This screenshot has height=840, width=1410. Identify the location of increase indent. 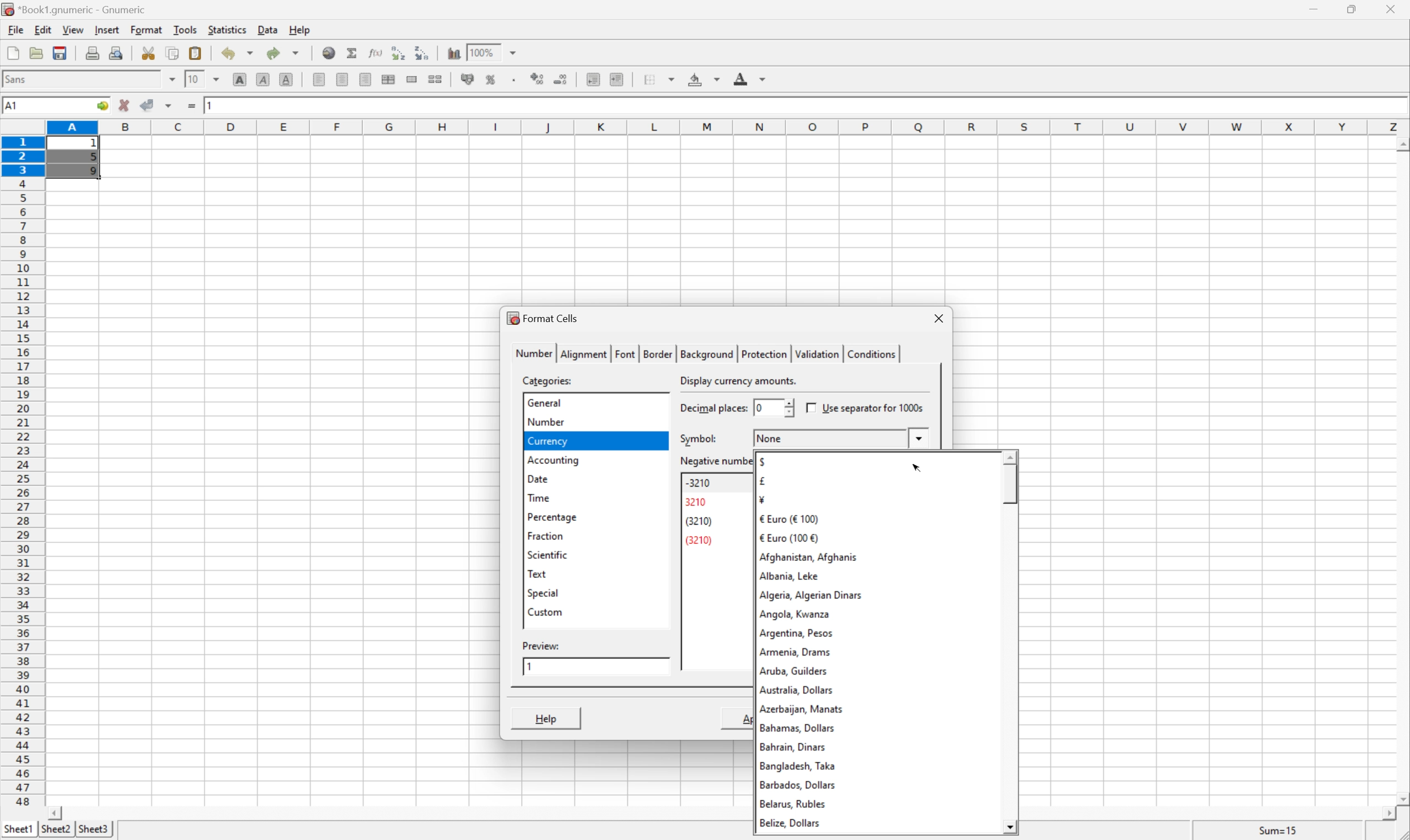
(618, 79).